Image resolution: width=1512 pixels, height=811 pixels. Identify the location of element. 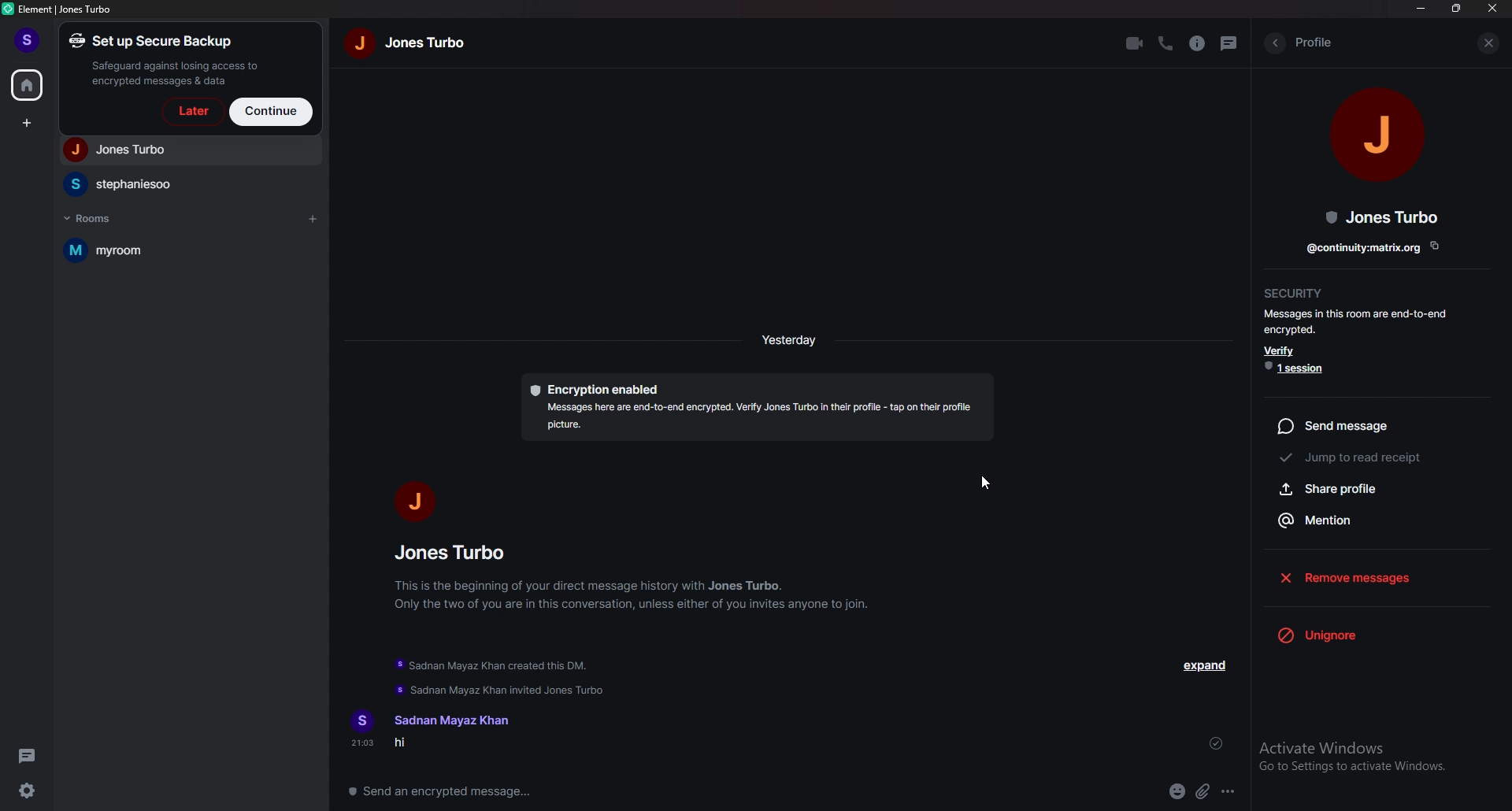
(60, 9).